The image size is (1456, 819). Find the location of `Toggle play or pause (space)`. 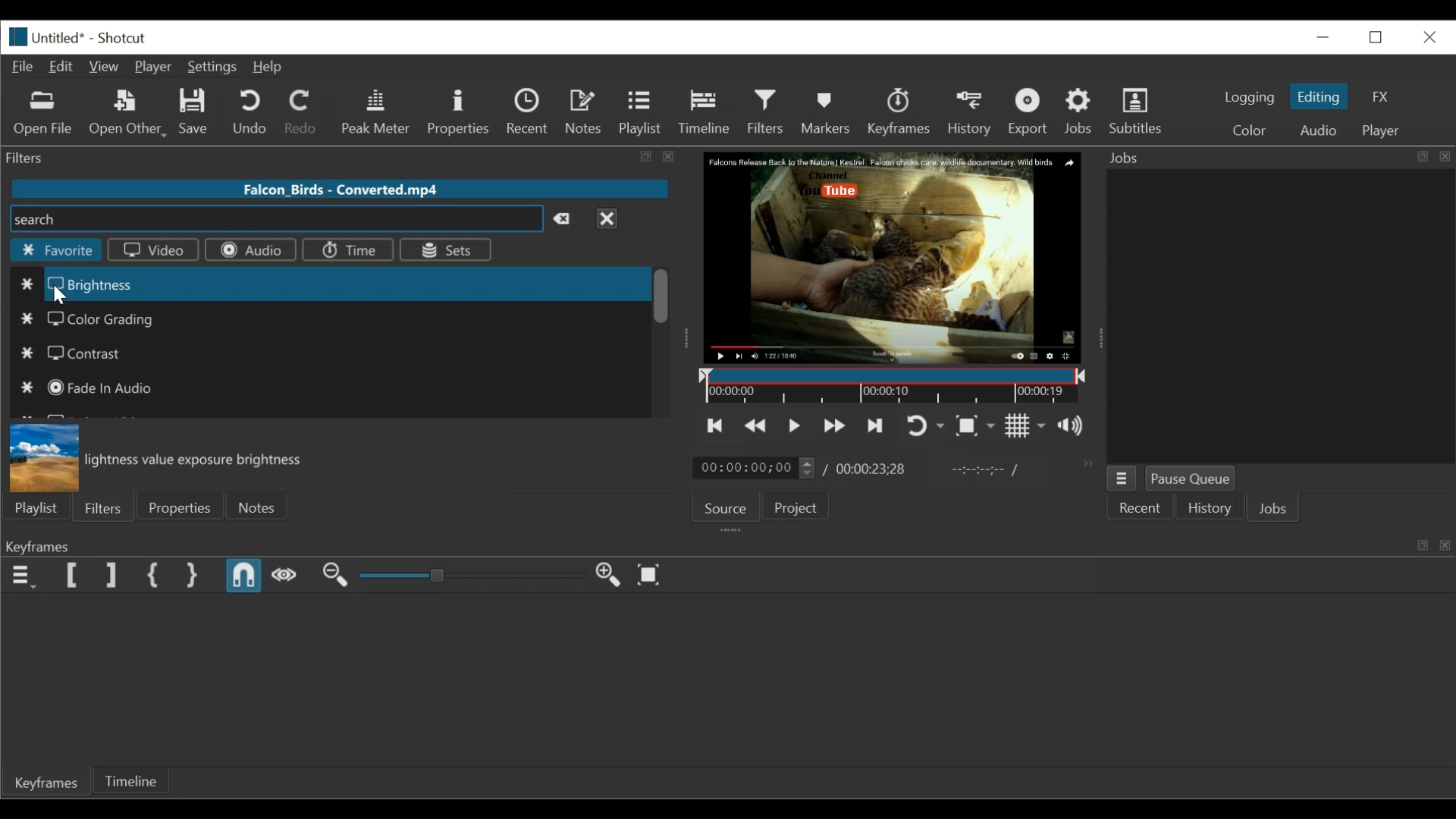

Toggle play or pause (space) is located at coordinates (794, 425).